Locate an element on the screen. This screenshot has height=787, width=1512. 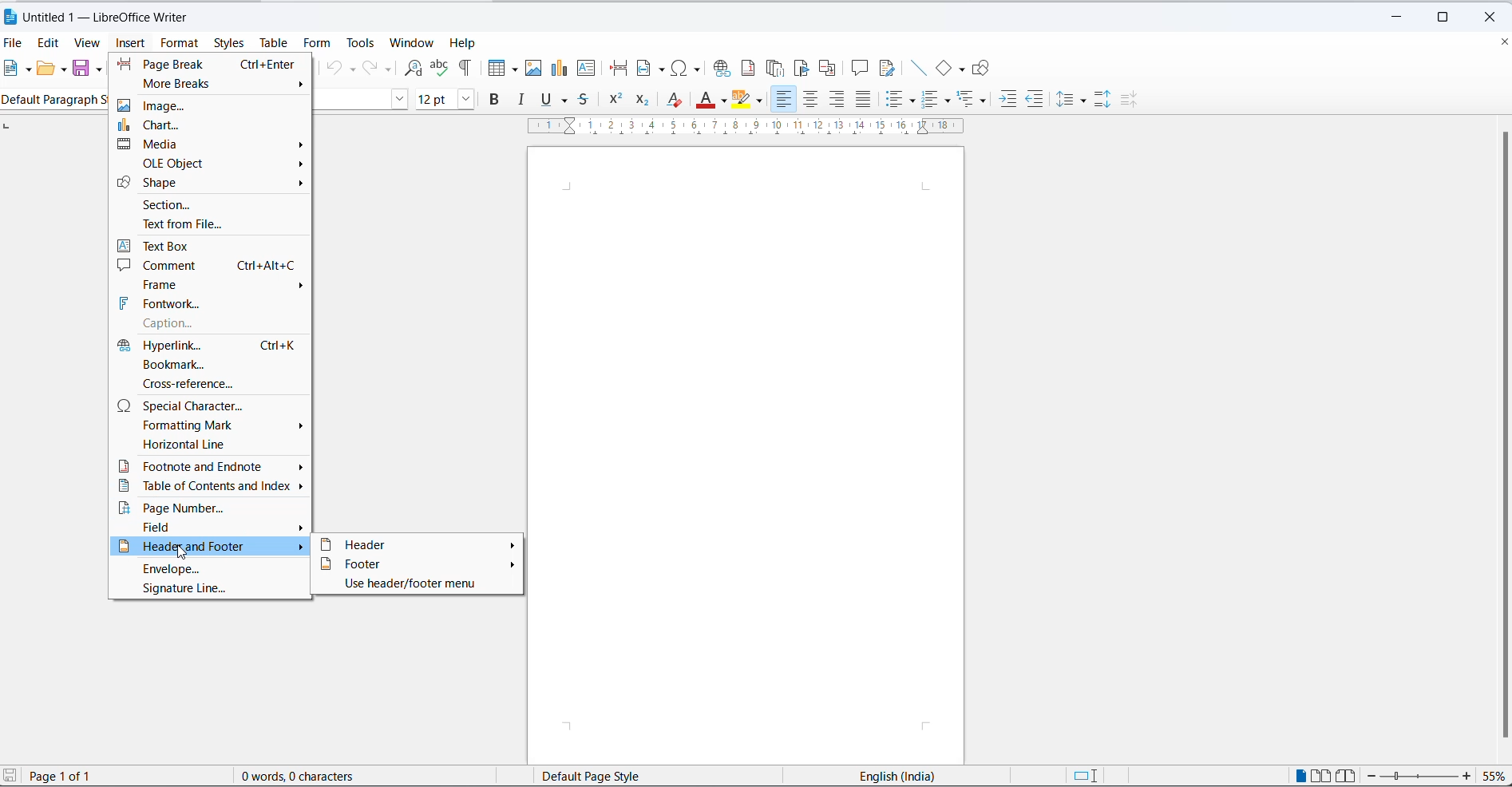
shape is located at coordinates (214, 184).